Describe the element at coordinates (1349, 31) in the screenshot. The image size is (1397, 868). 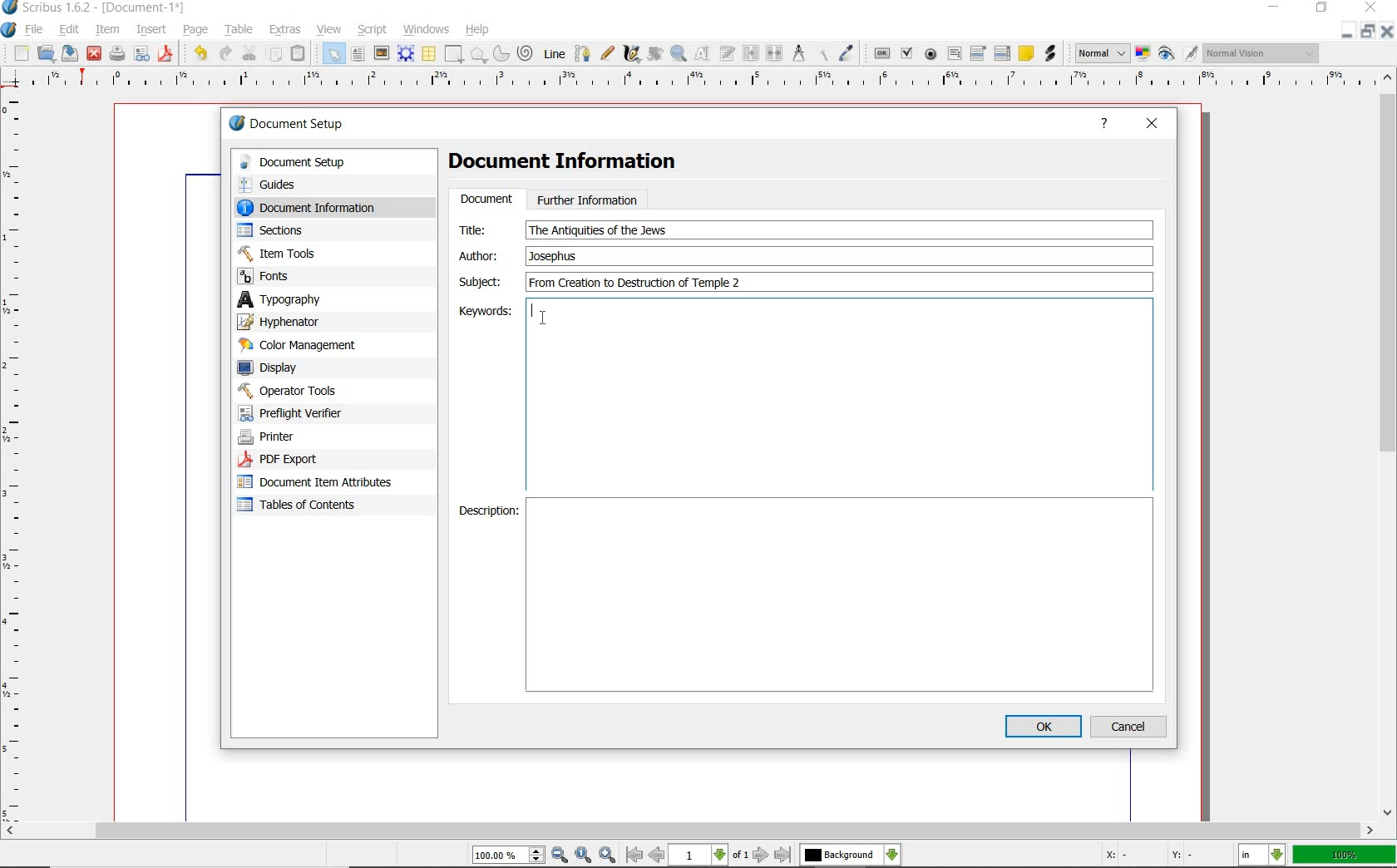
I see `minimize` at that location.